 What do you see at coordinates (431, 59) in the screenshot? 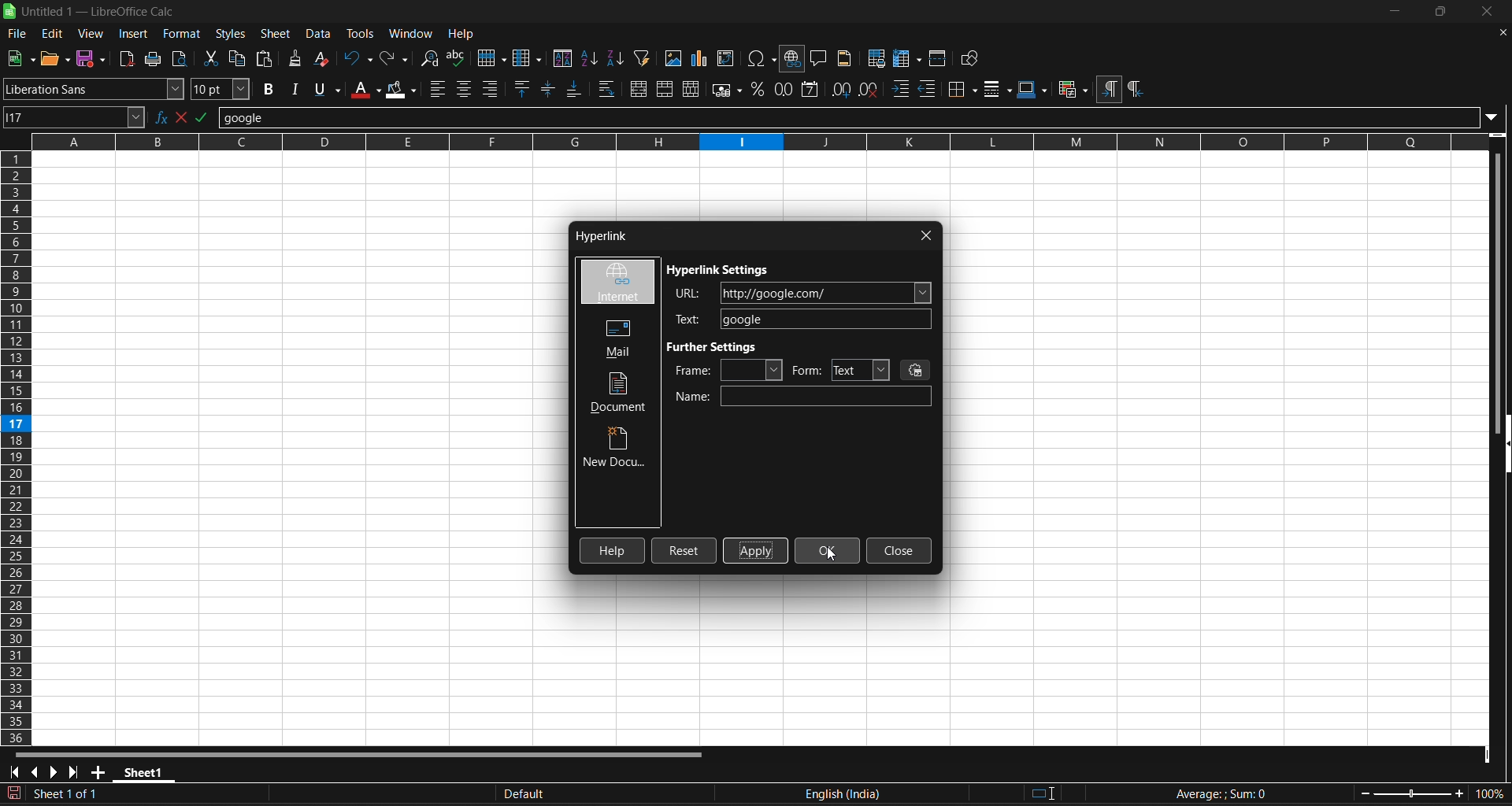
I see `find and replace` at bounding box center [431, 59].